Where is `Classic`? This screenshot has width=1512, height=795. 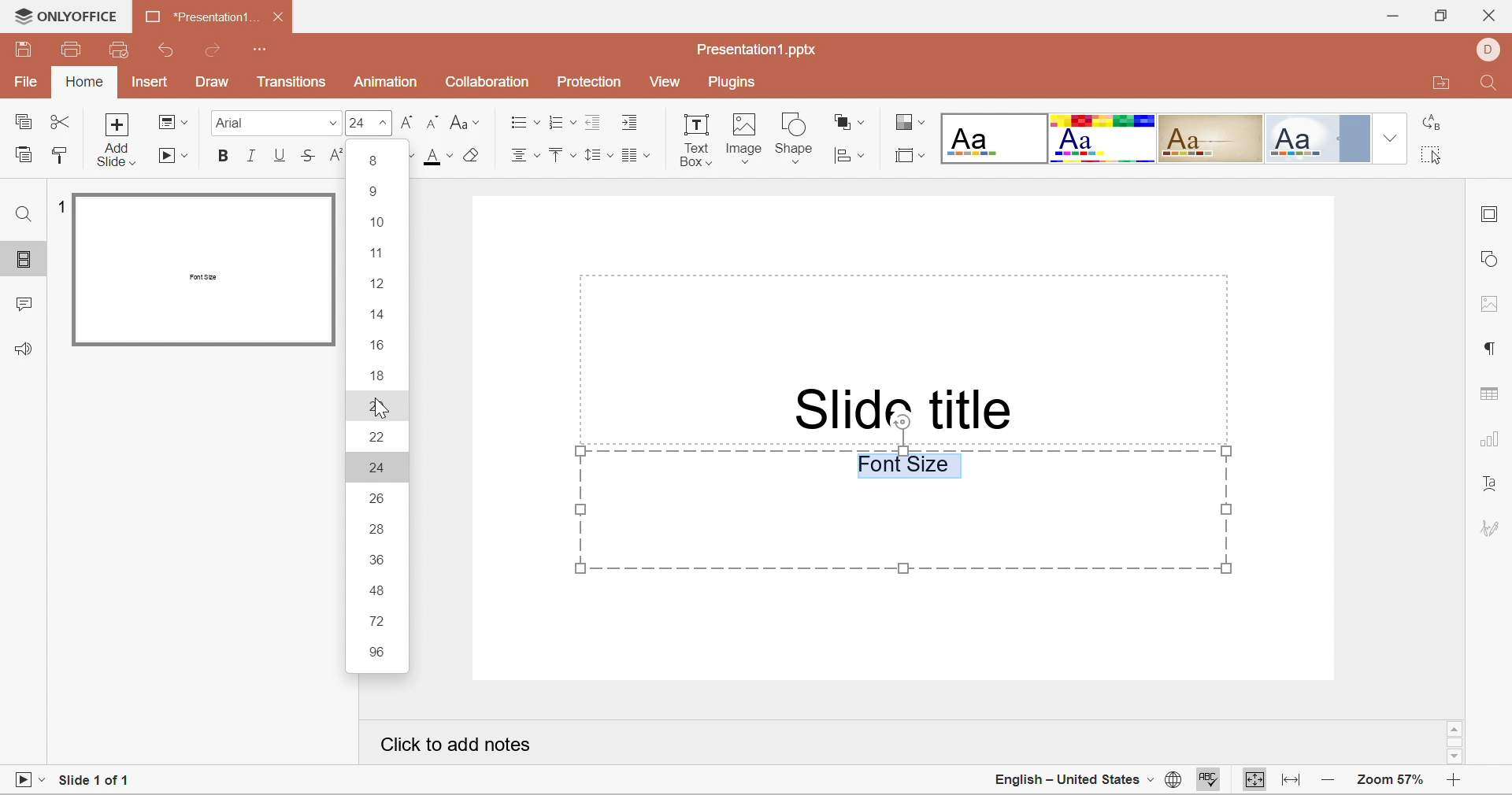 Classic is located at coordinates (1211, 136).